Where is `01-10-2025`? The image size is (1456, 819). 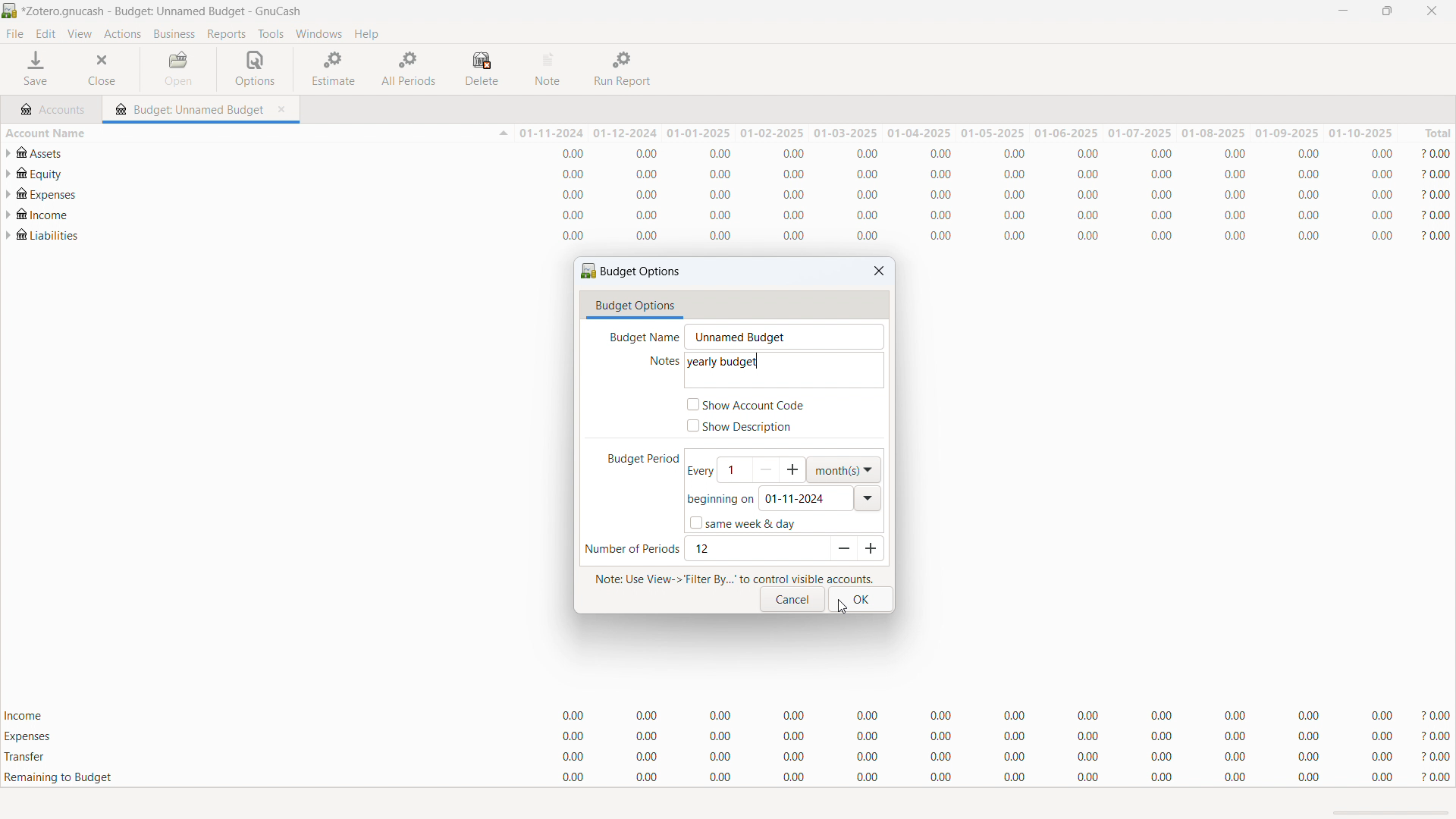 01-10-2025 is located at coordinates (1360, 133).